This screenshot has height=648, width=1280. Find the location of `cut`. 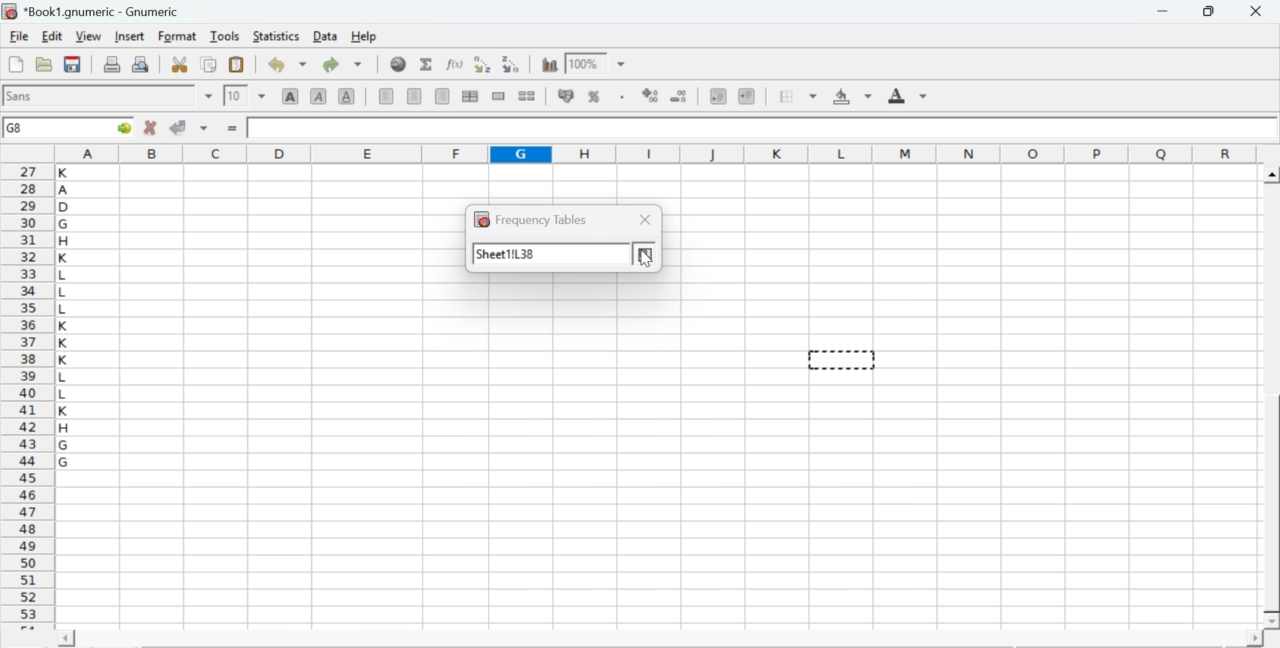

cut is located at coordinates (179, 64).